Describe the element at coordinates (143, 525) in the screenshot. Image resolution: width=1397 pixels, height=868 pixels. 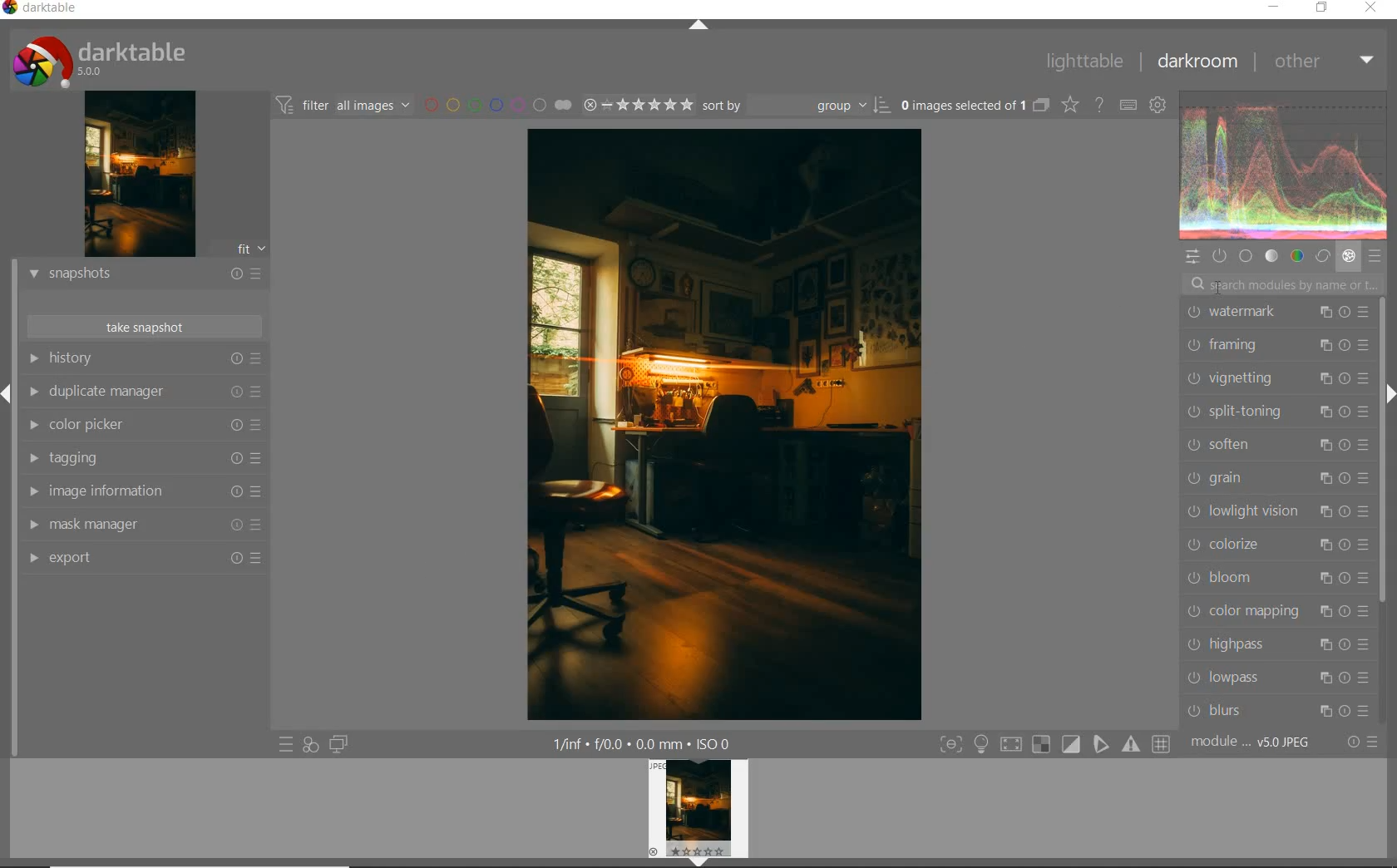
I see `mask manager` at that location.